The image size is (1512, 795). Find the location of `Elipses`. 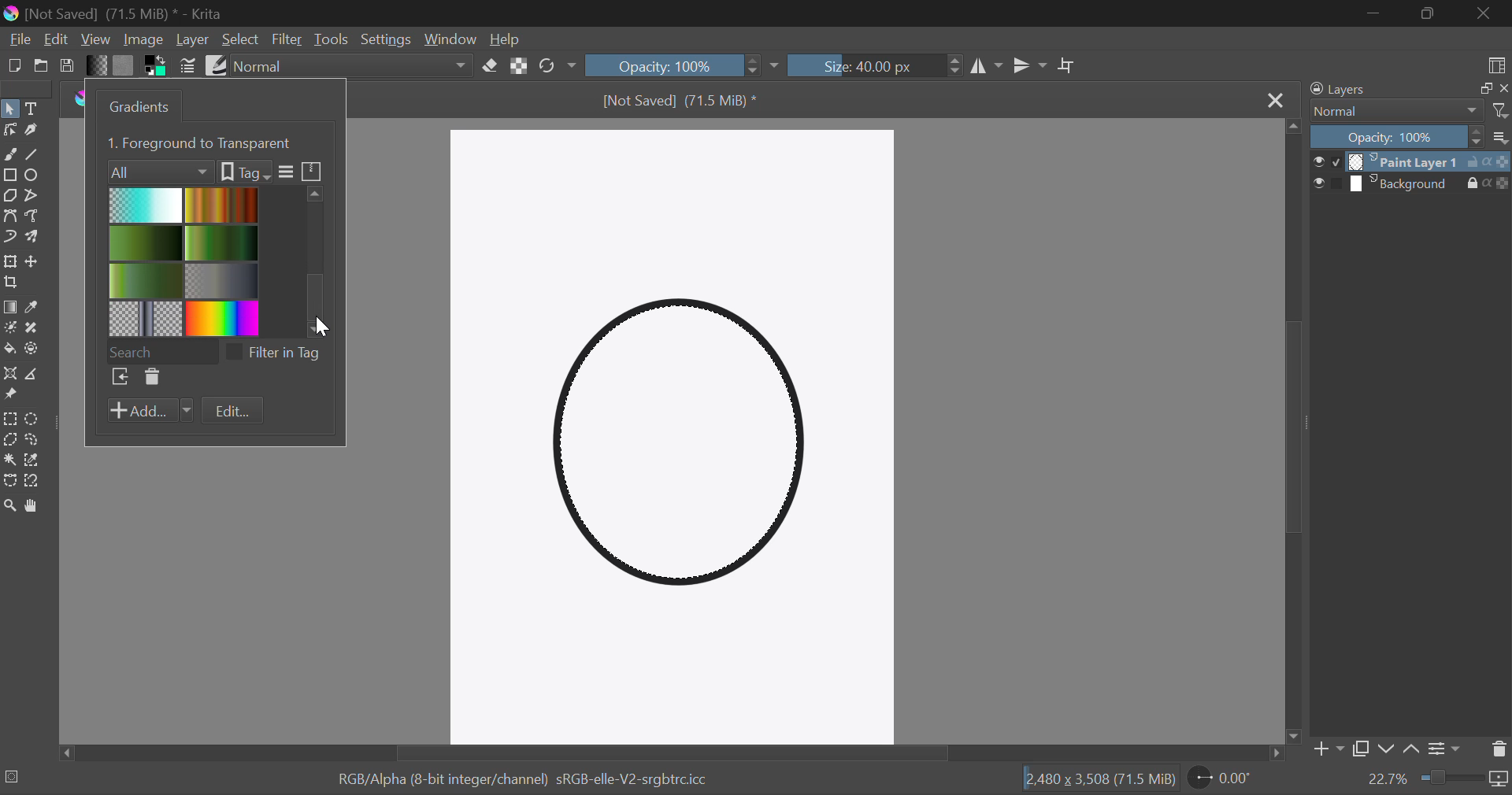

Elipses is located at coordinates (36, 176).